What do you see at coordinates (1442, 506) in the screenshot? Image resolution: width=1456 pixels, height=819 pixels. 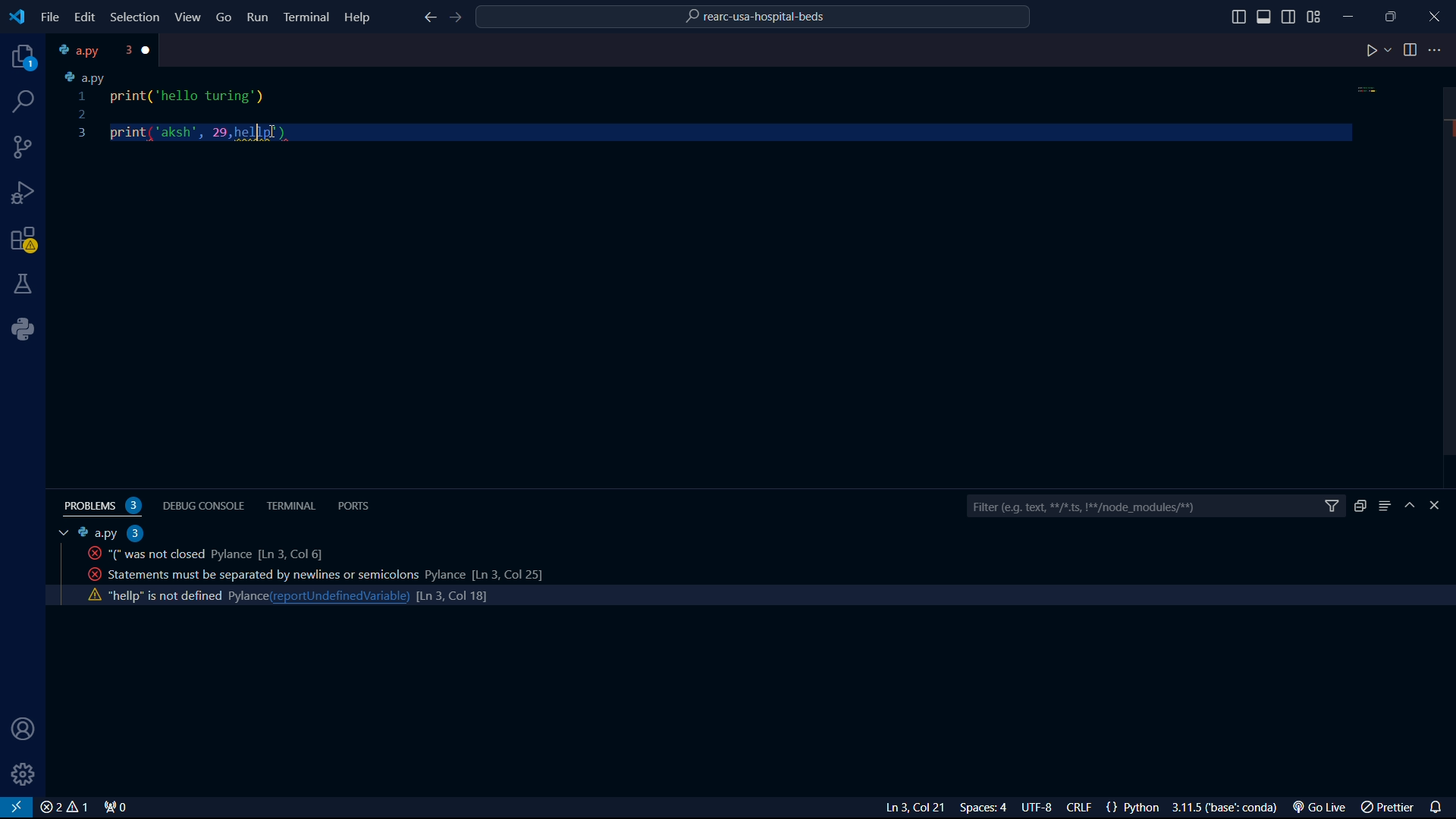 I see `close bar` at bounding box center [1442, 506].